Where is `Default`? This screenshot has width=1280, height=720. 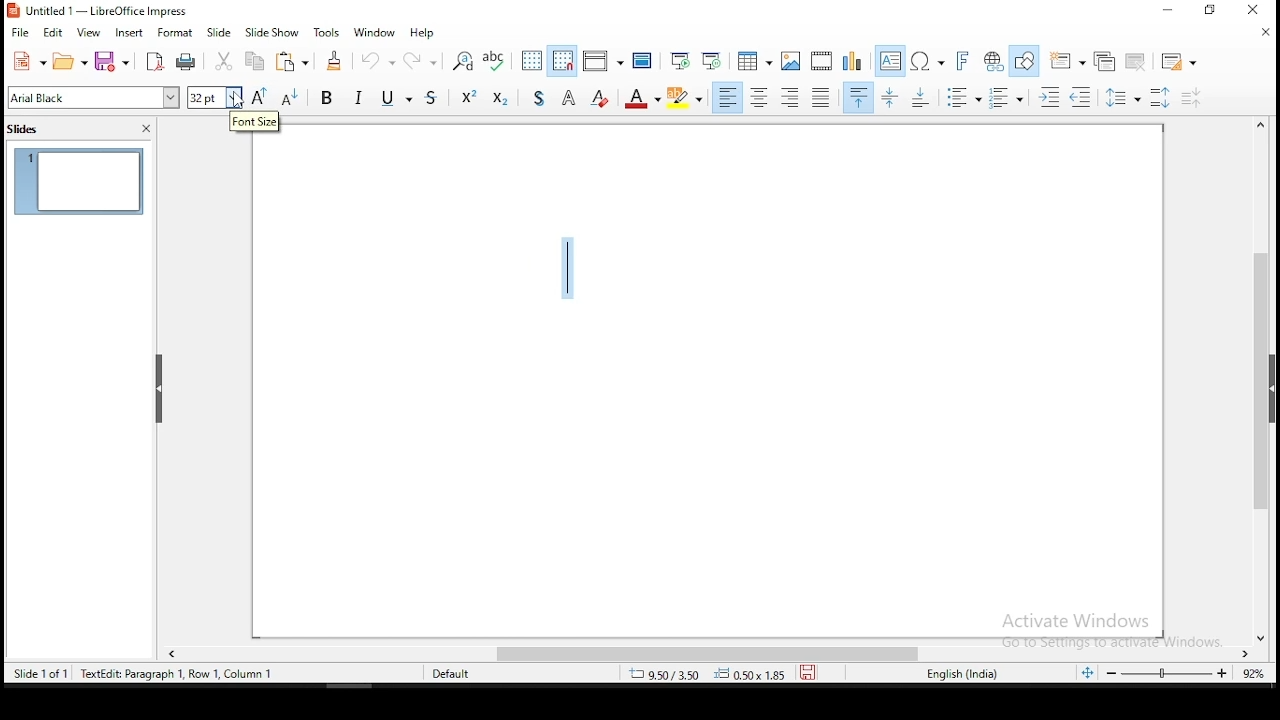 Default is located at coordinates (460, 672).